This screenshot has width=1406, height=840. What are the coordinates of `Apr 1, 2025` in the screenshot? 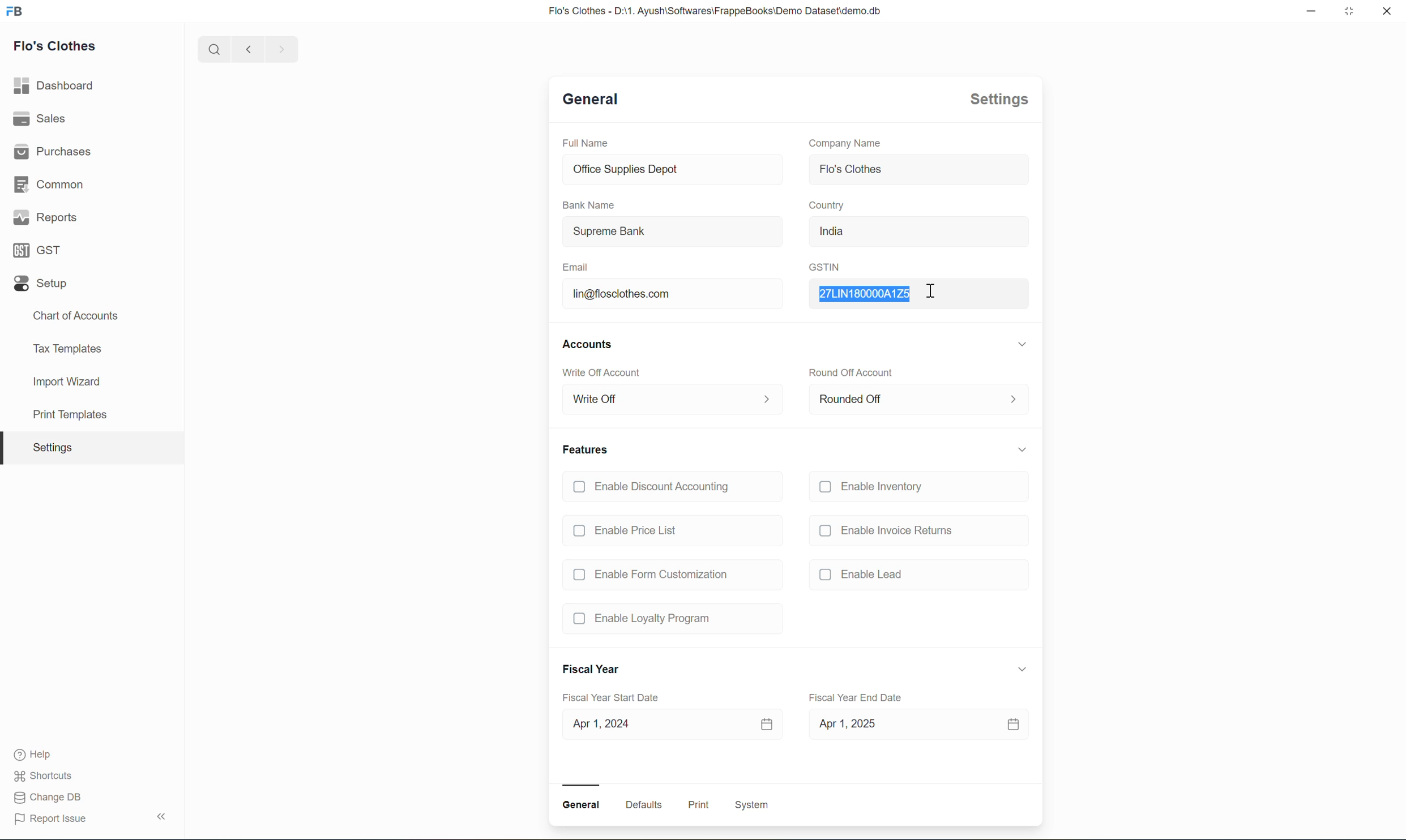 It's located at (890, 724).